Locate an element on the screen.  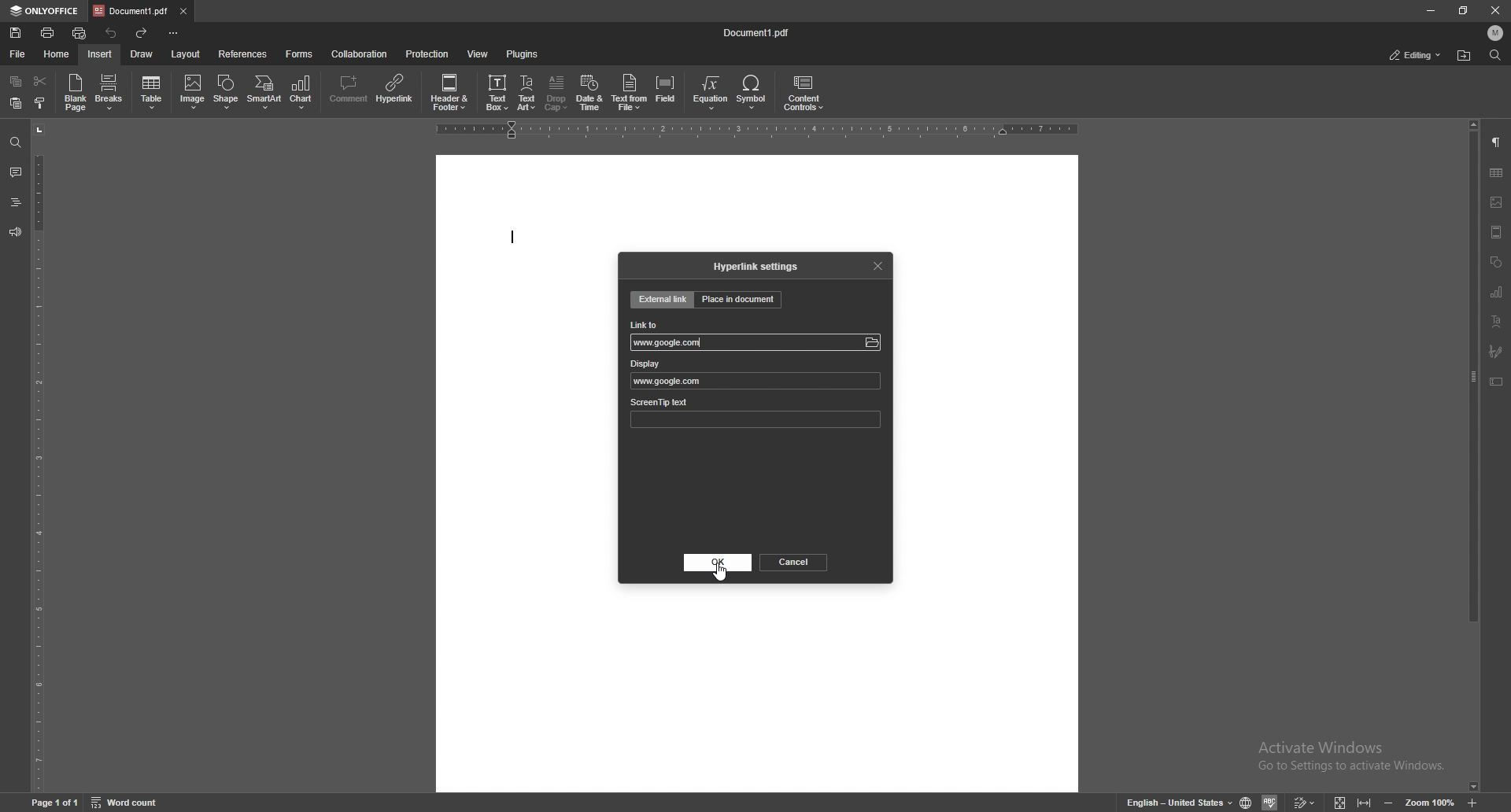
text align is located at coordinates (1498, 321).